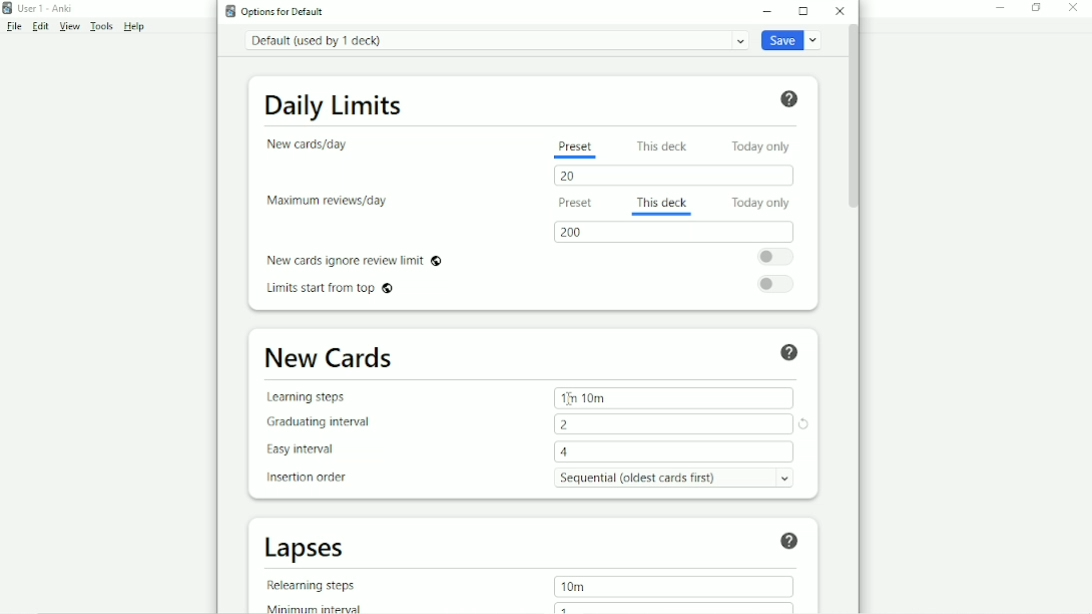 This screenshot has height=614, width=1092. What do you see at coordinates (102, 26) in the screenshot?
I see `Tools` at bounding box center [102, 26].